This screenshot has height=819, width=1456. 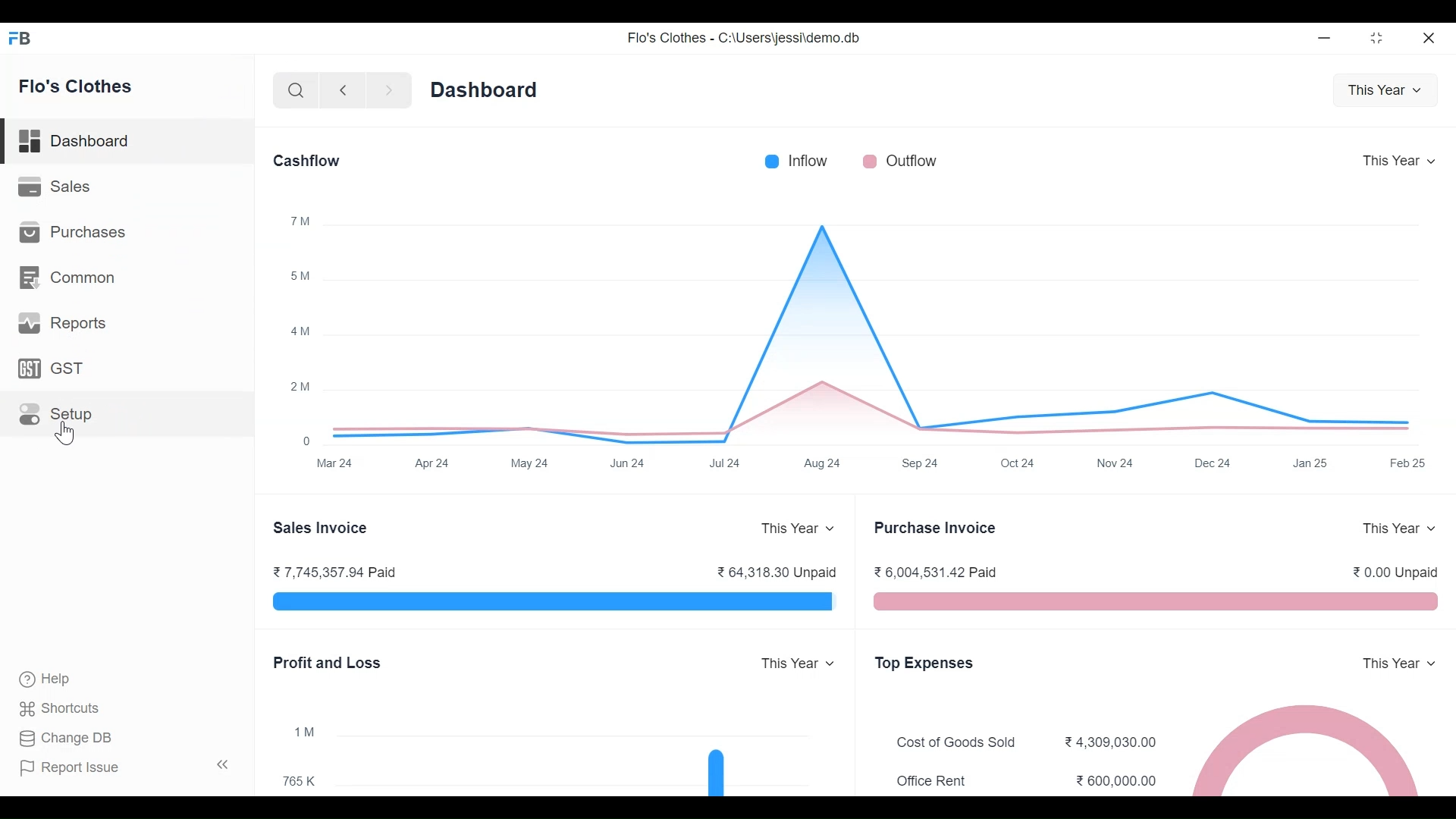 What do you see at coordinates (933, 572) in the screenshot?
I see `6,004,531.42 Paid` at bounding box center [933, 572].